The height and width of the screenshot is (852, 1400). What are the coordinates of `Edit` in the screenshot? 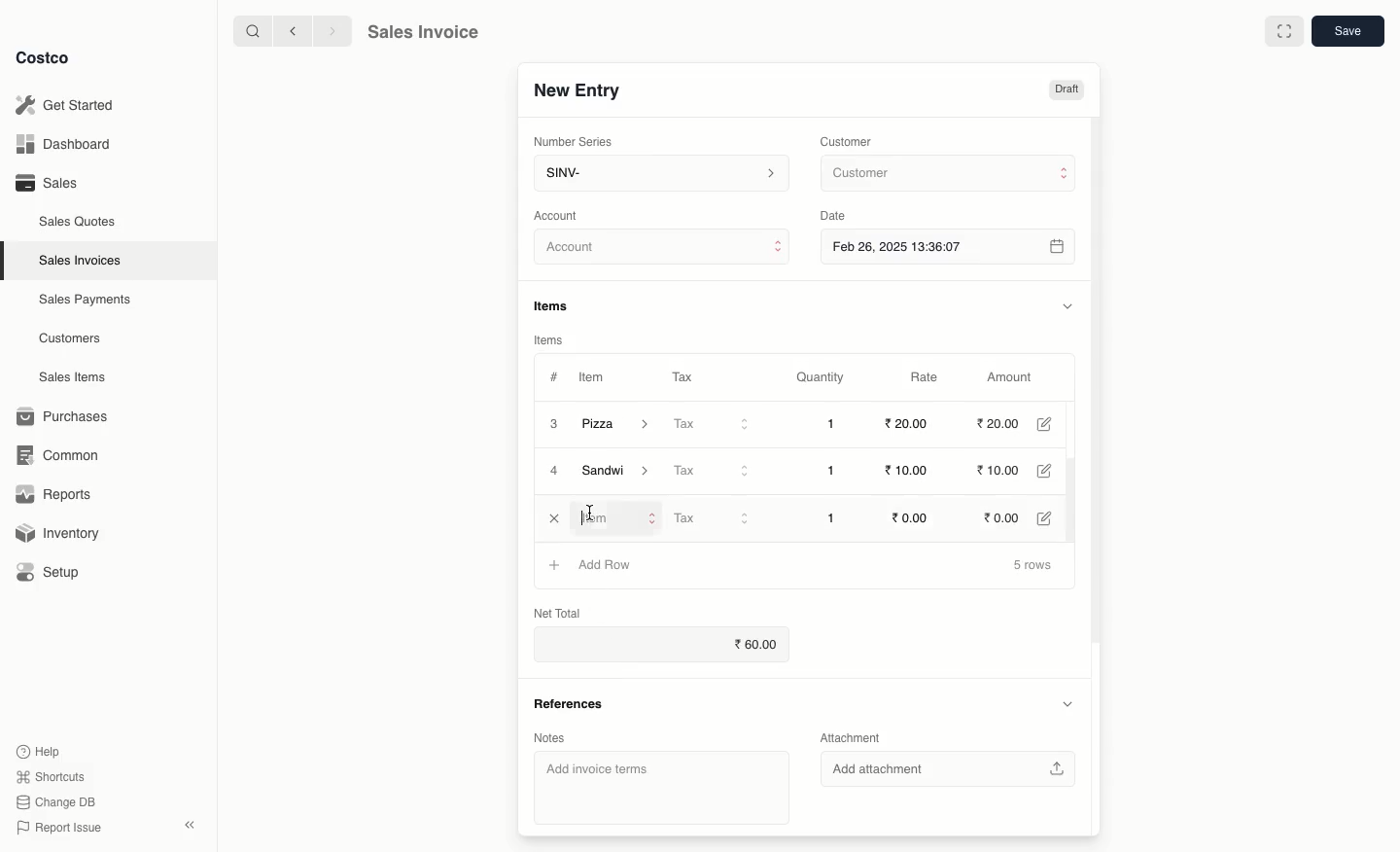 It's located at (1056, 472).